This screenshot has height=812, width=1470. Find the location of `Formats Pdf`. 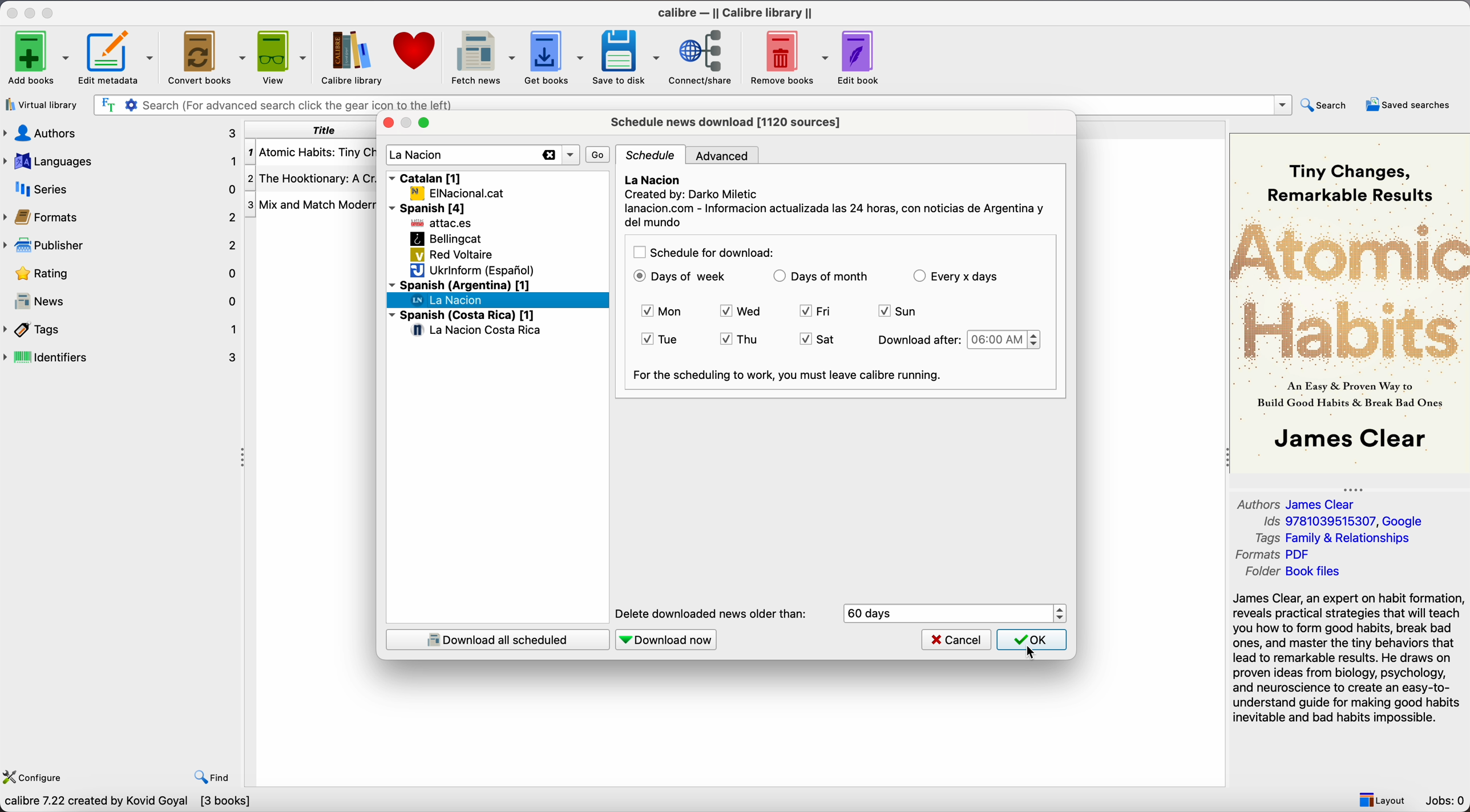

Formats Pdf is located at coordinates (1275, 555).